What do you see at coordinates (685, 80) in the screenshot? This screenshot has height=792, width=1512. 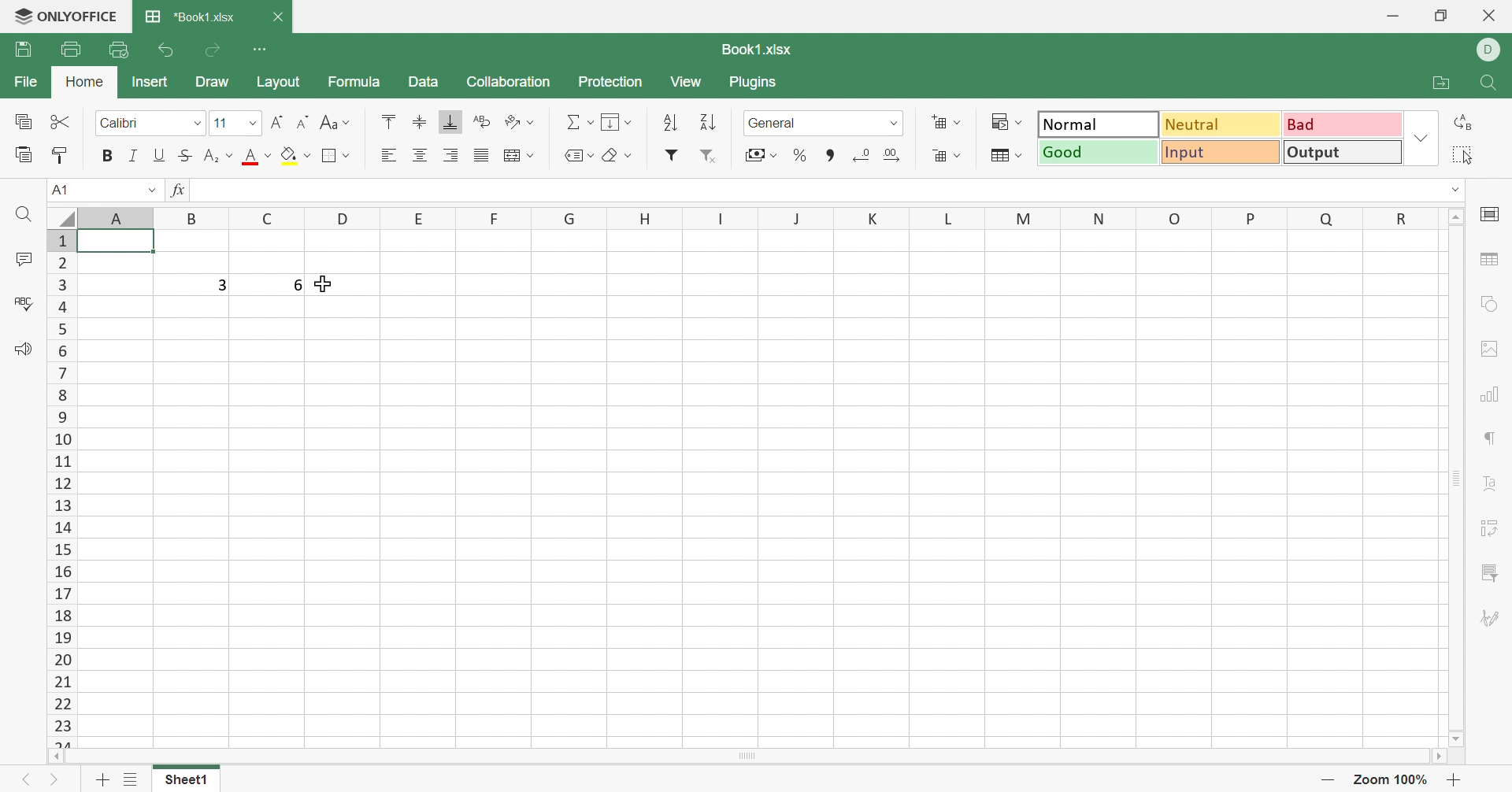 I see `View` at bounding box center [685, 80].